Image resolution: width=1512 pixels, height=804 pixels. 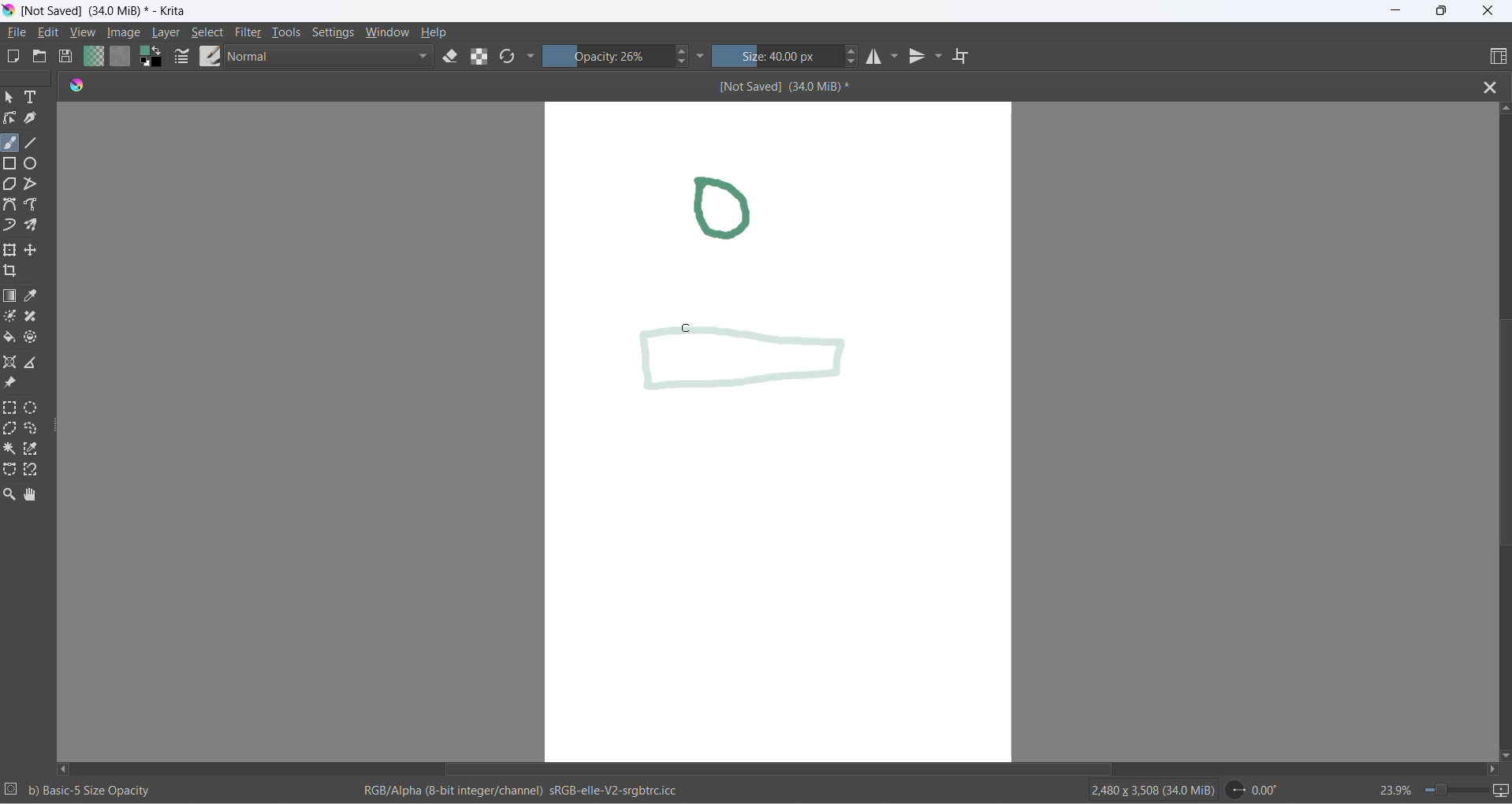 I want to click on Bezier curve selection tool , so click(x=13, y=472).